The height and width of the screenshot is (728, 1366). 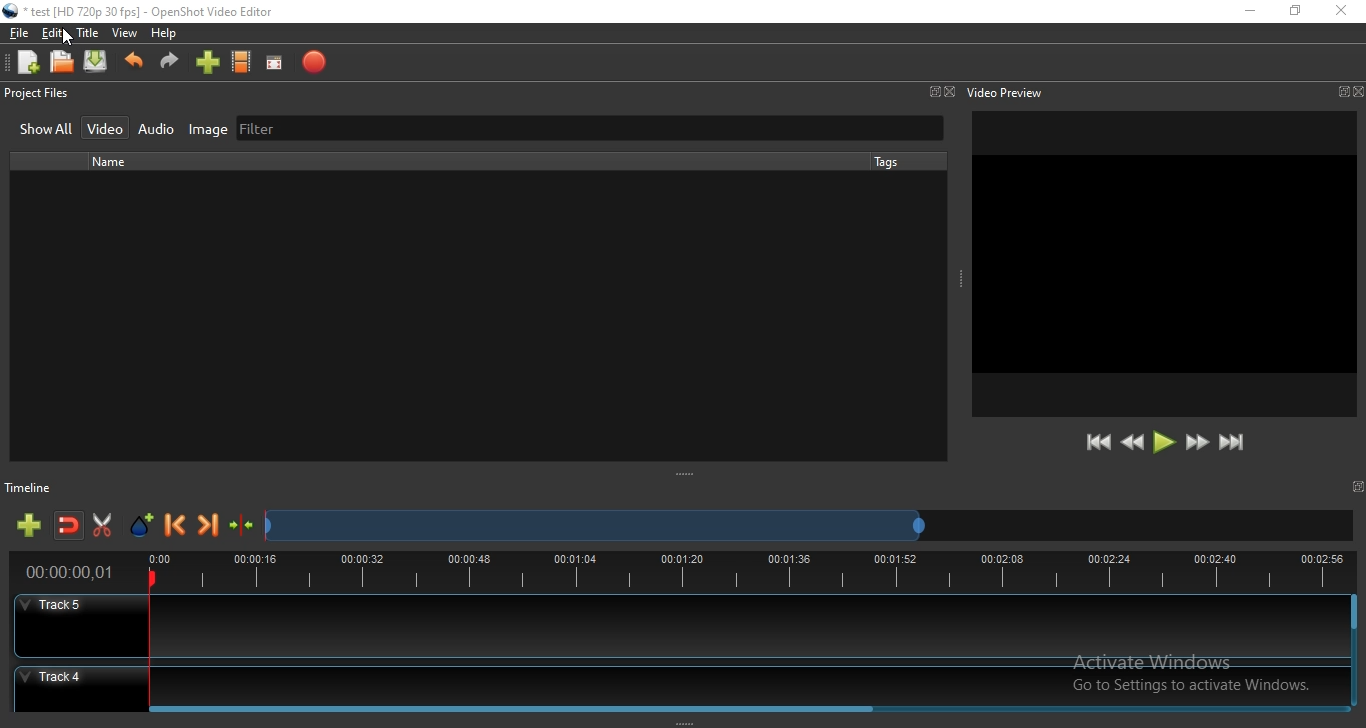 What do you see at coordinates (950, 92) in the screenshot?
I see `Close` at bounding box center [950, 92].